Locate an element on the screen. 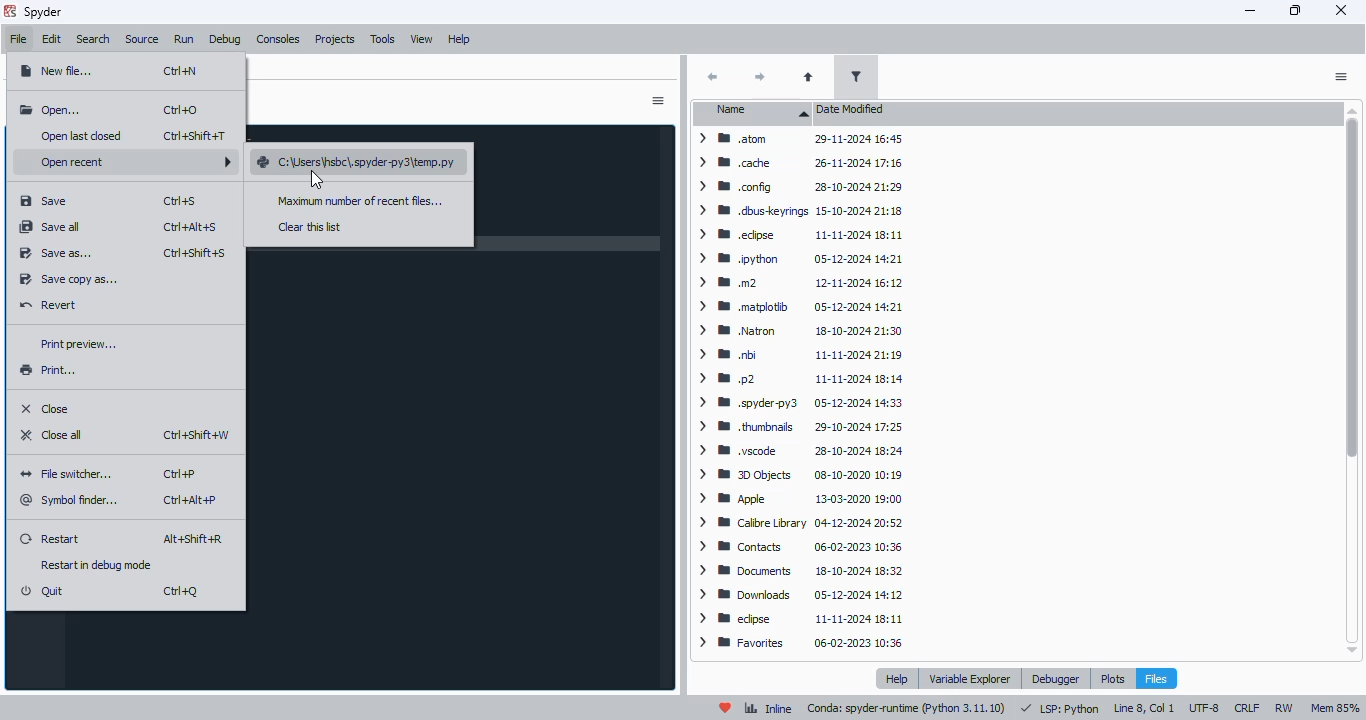 The image size is (1366, 720). clear this list is located at coordinates (310, 227).